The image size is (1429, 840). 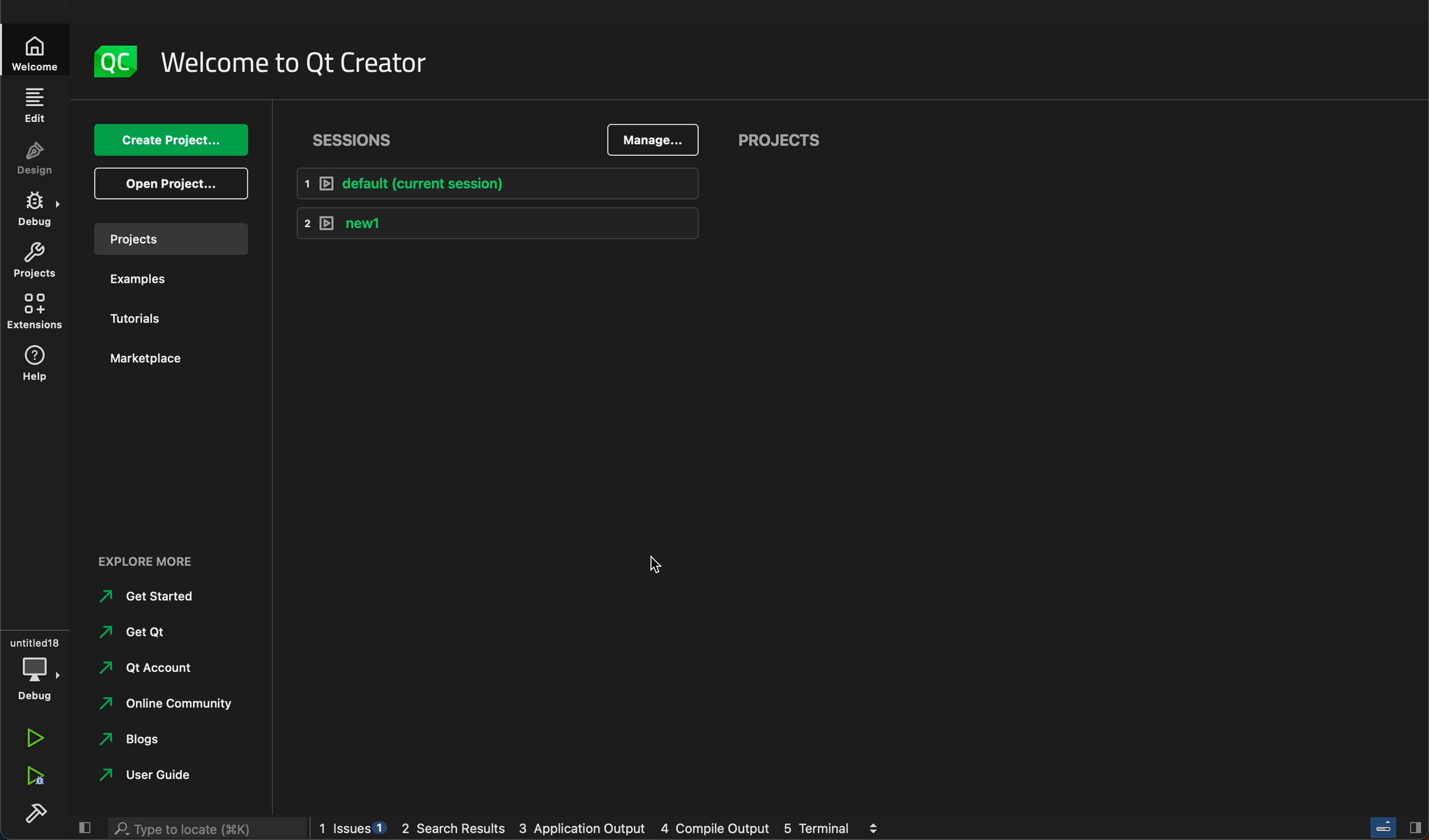 What do you see at coordinates (35, 313) in the screenshot?
I see `extensions` at bounding box center [35, 313].